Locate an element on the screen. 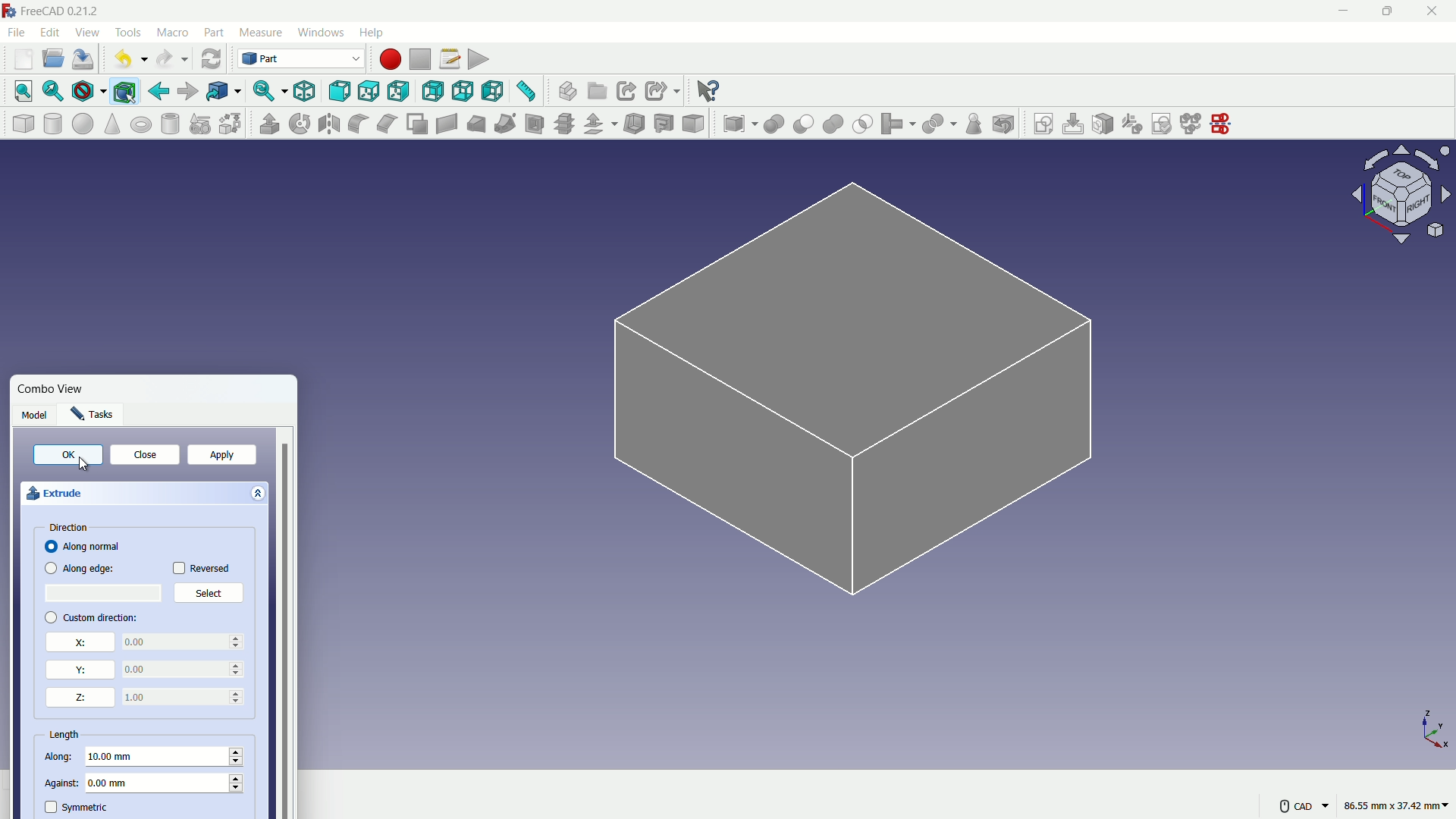 This screenshot has height=819, width=1456. bounding box is located at coordinates (124, 93).